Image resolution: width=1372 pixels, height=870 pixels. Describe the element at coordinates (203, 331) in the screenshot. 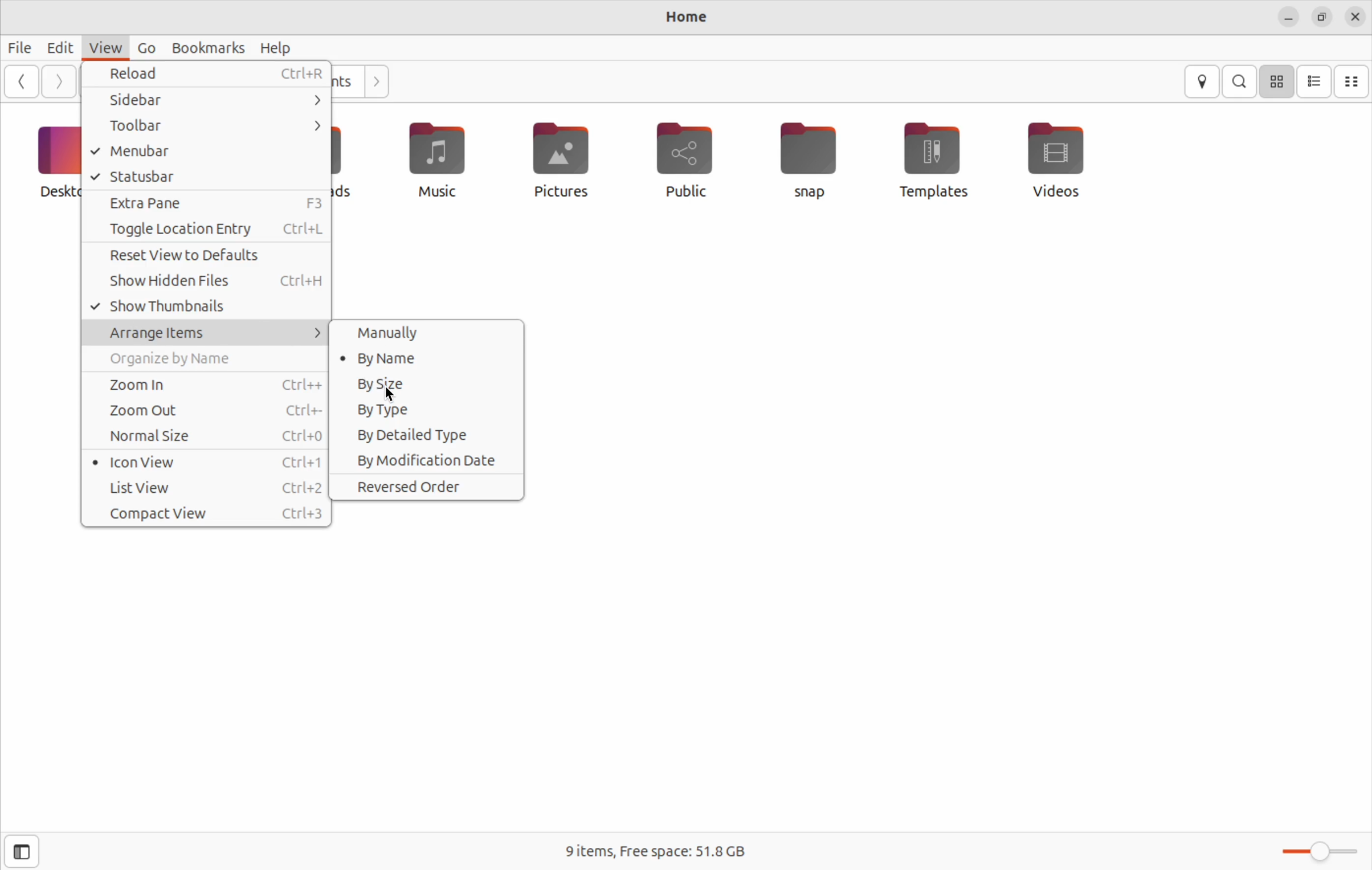

I see `arrange items` at that location.